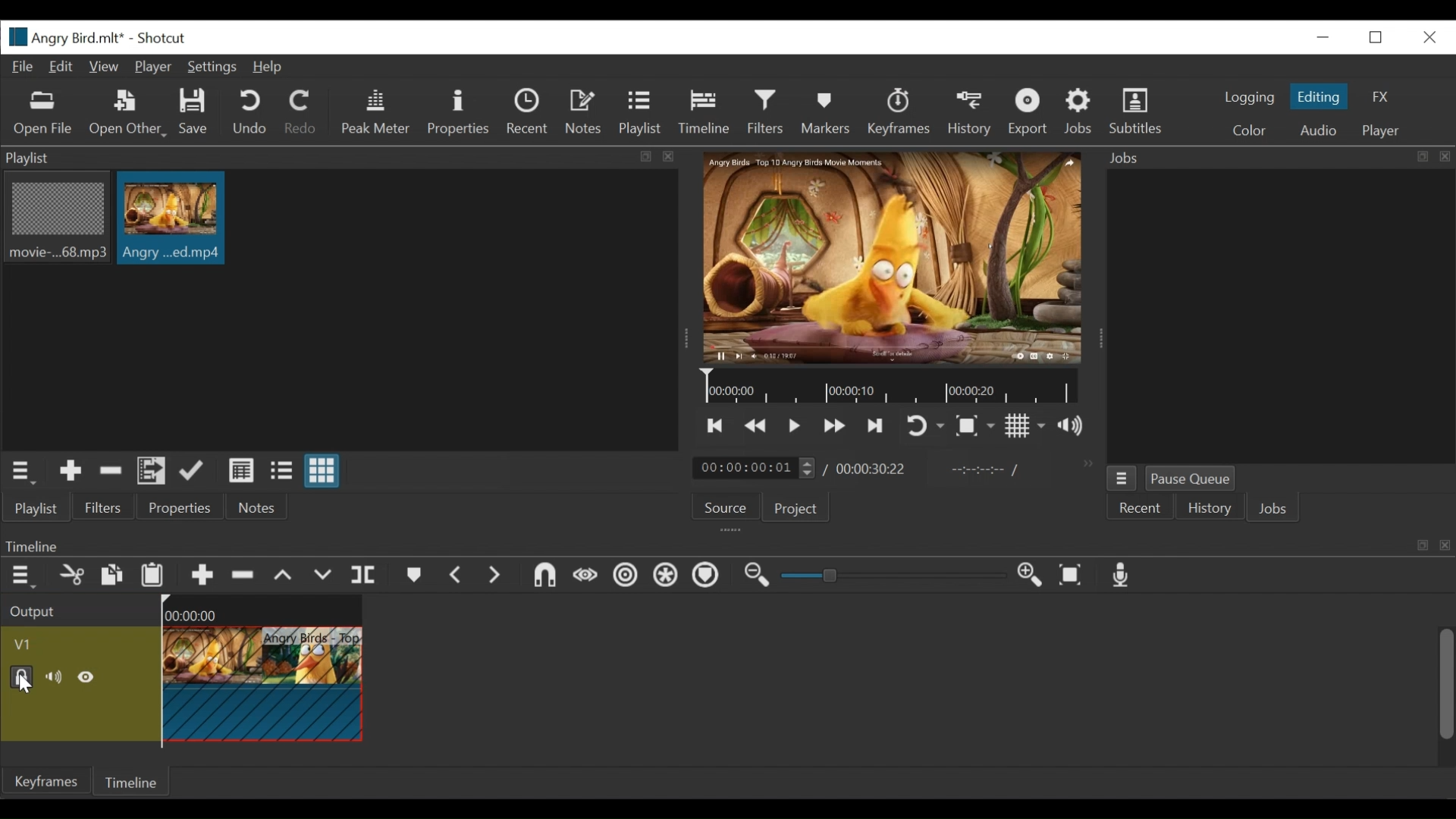 The image size is (1456, 819). What do you see at coordinates (923, 427) in the screenshot?
I see `Toggle player looping` at bounding box center [923, 427].